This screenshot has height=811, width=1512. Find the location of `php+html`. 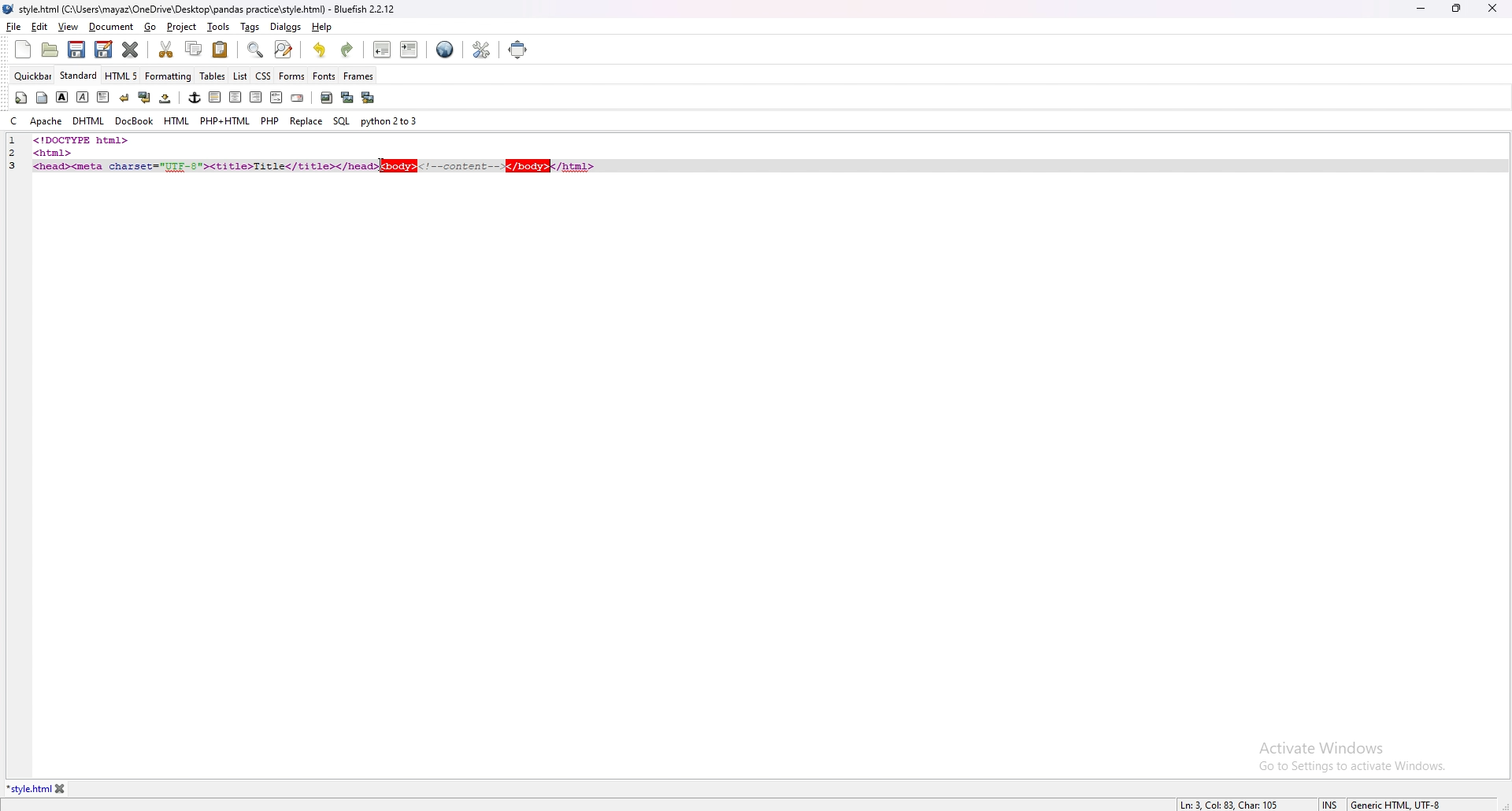

php+html is located at coordinates (225, 121).